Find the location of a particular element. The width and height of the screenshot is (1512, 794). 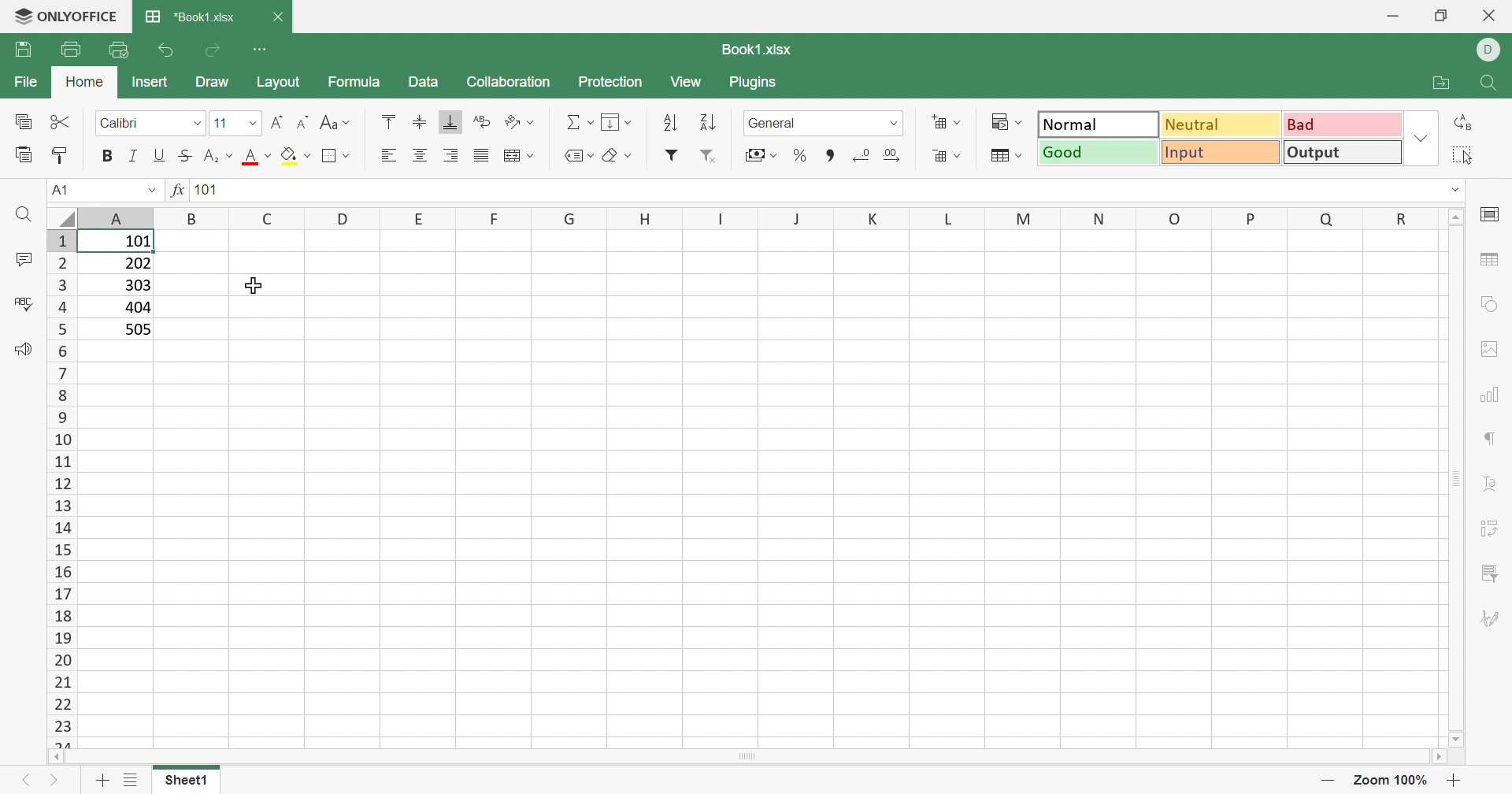

Align bottom is located at coordinates (450, 124).